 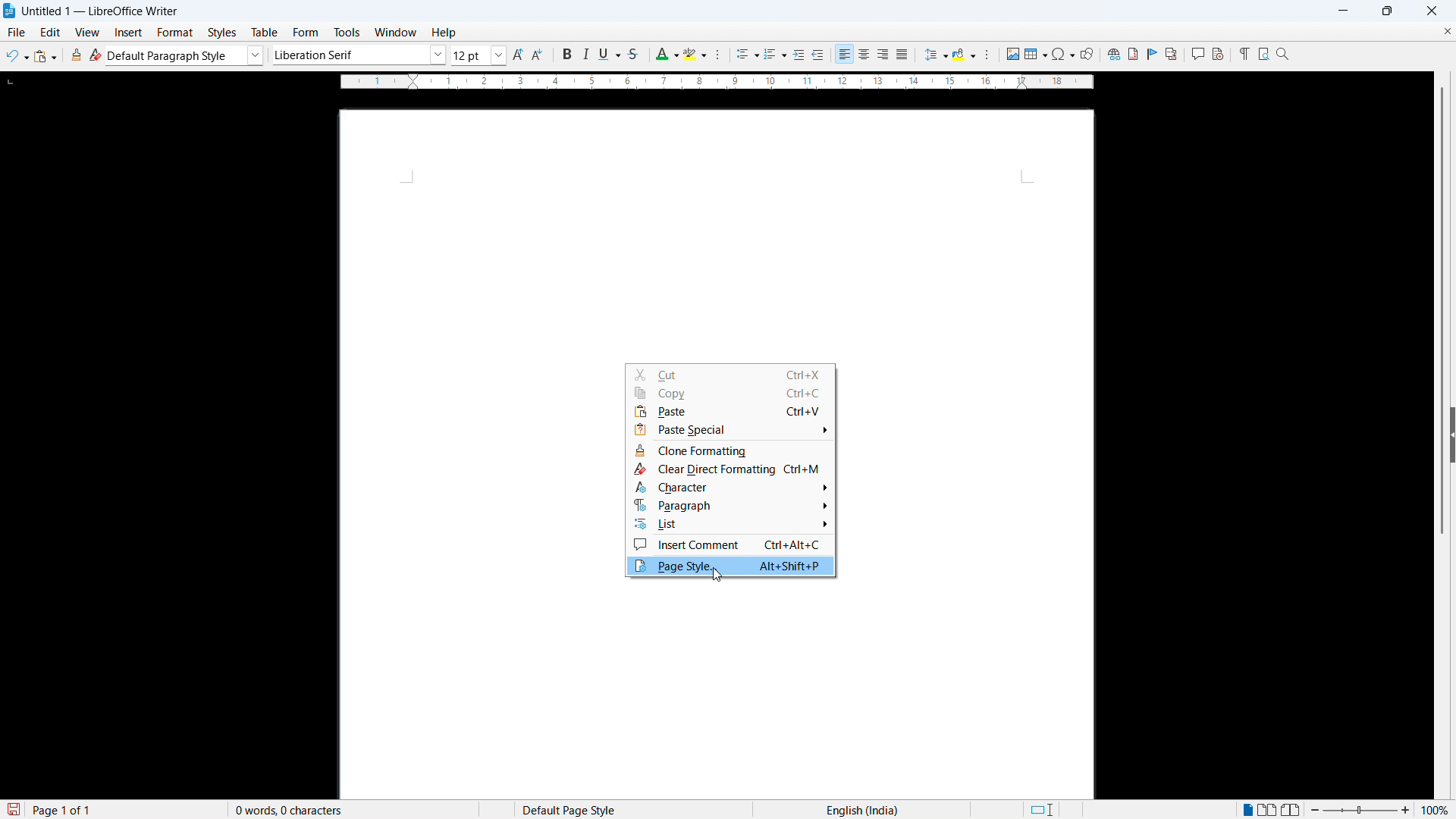 What do you see at coordinates (730, 525) in the screenshot?
I see ` list ` at bounding box center [730, 525].